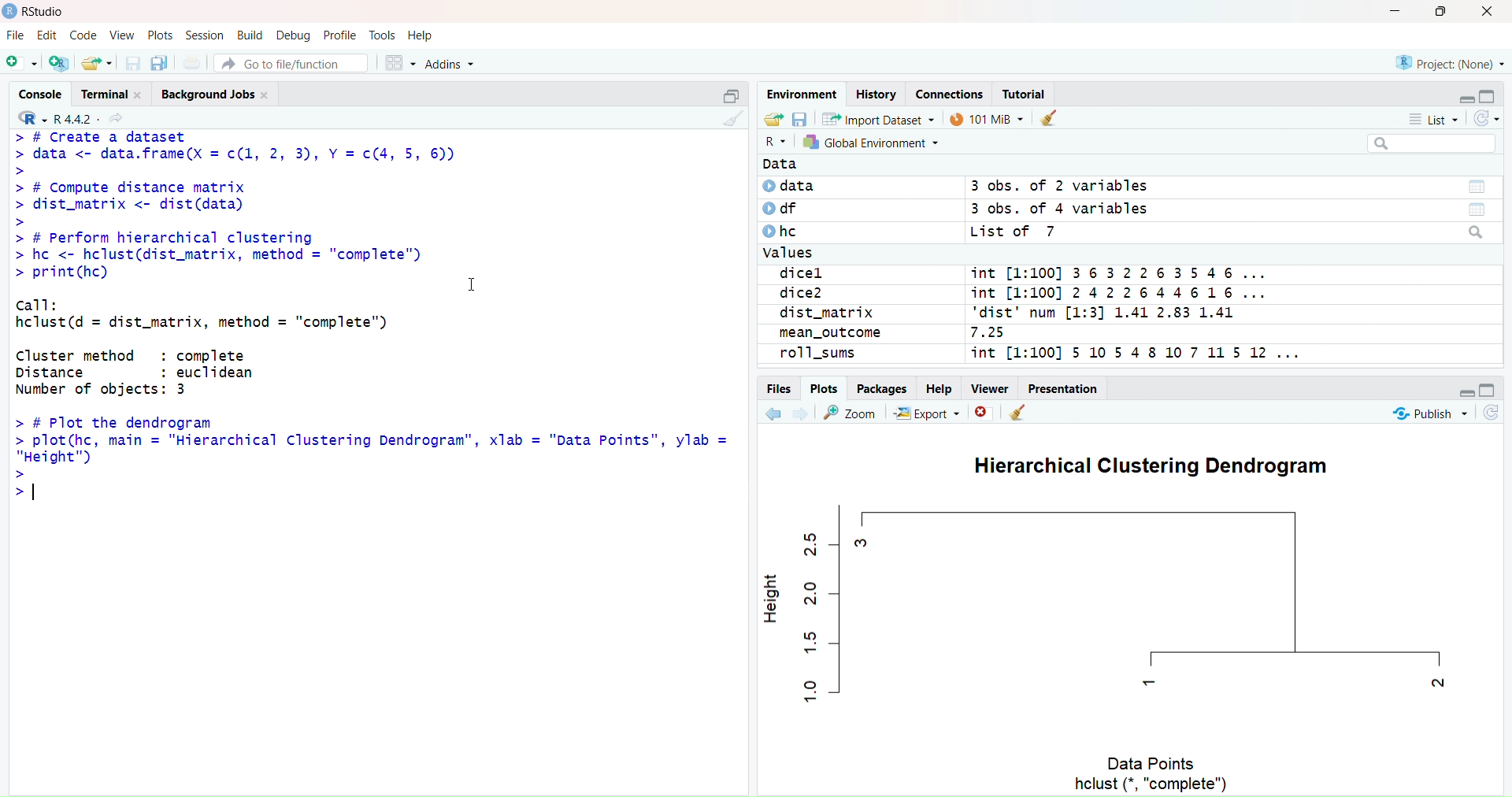 The width and height of the screenshot is (1512, 797). What do you see at coordinates (338, 35) in the screenshot?
I see `Profile` at bounding box center [338, 35].